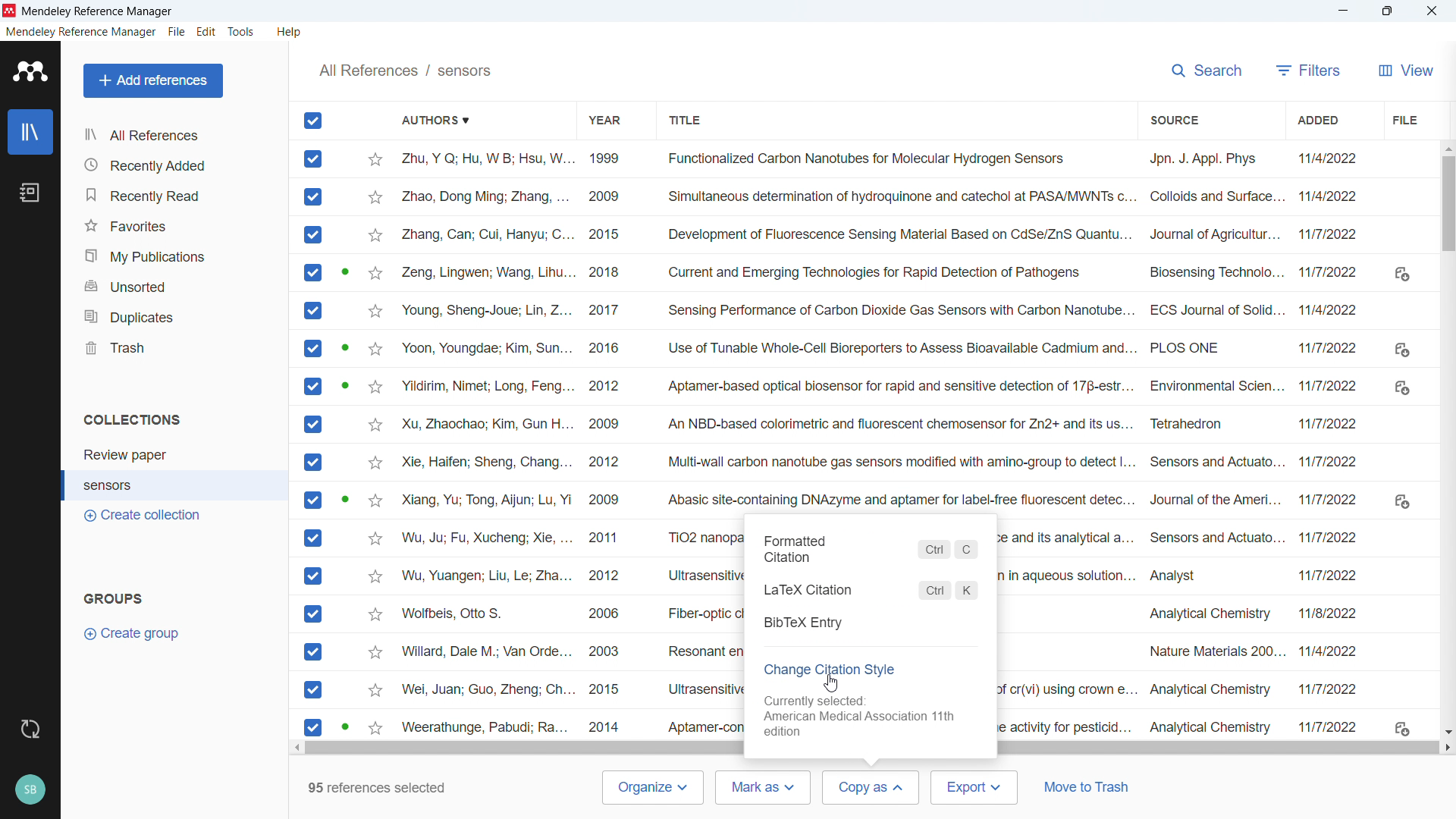 This screenshot has height=819, width=1456. I want to click on Scroll right, so click(1447, 748).